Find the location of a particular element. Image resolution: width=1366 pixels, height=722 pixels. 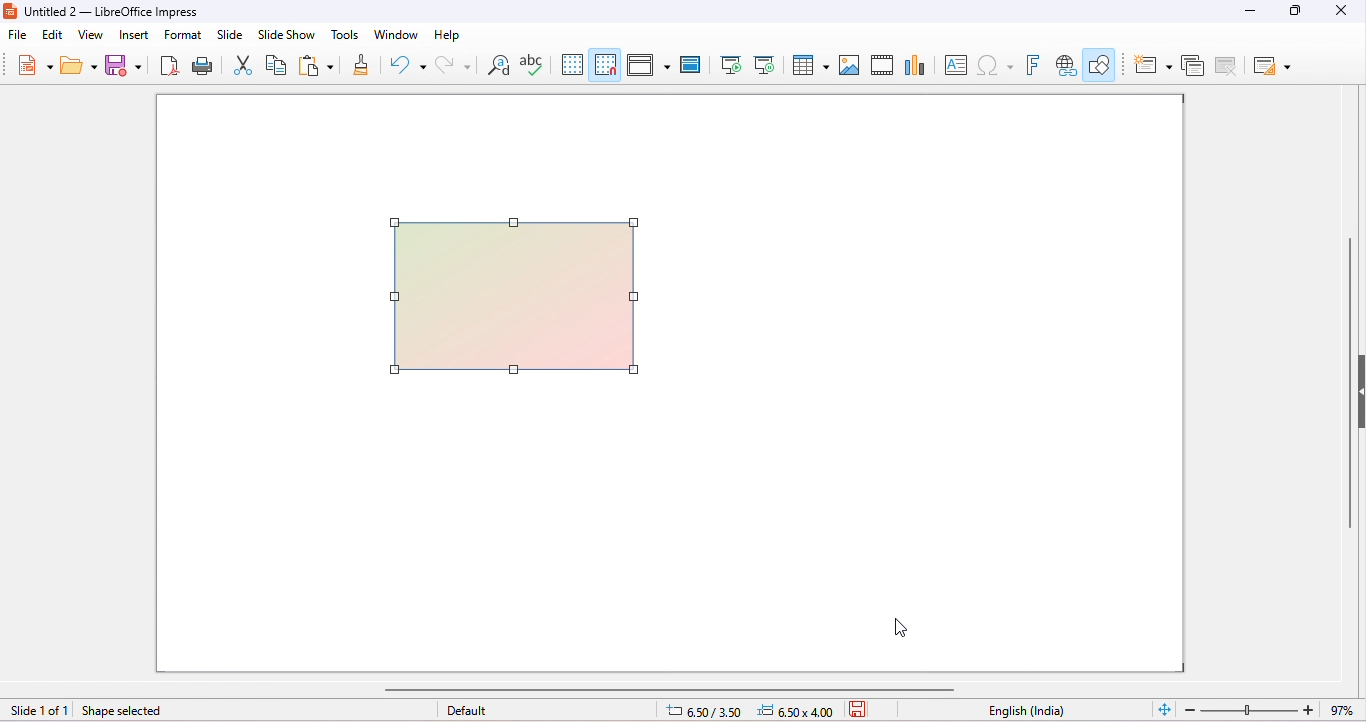

cursor is located at coordinates (900, 628).